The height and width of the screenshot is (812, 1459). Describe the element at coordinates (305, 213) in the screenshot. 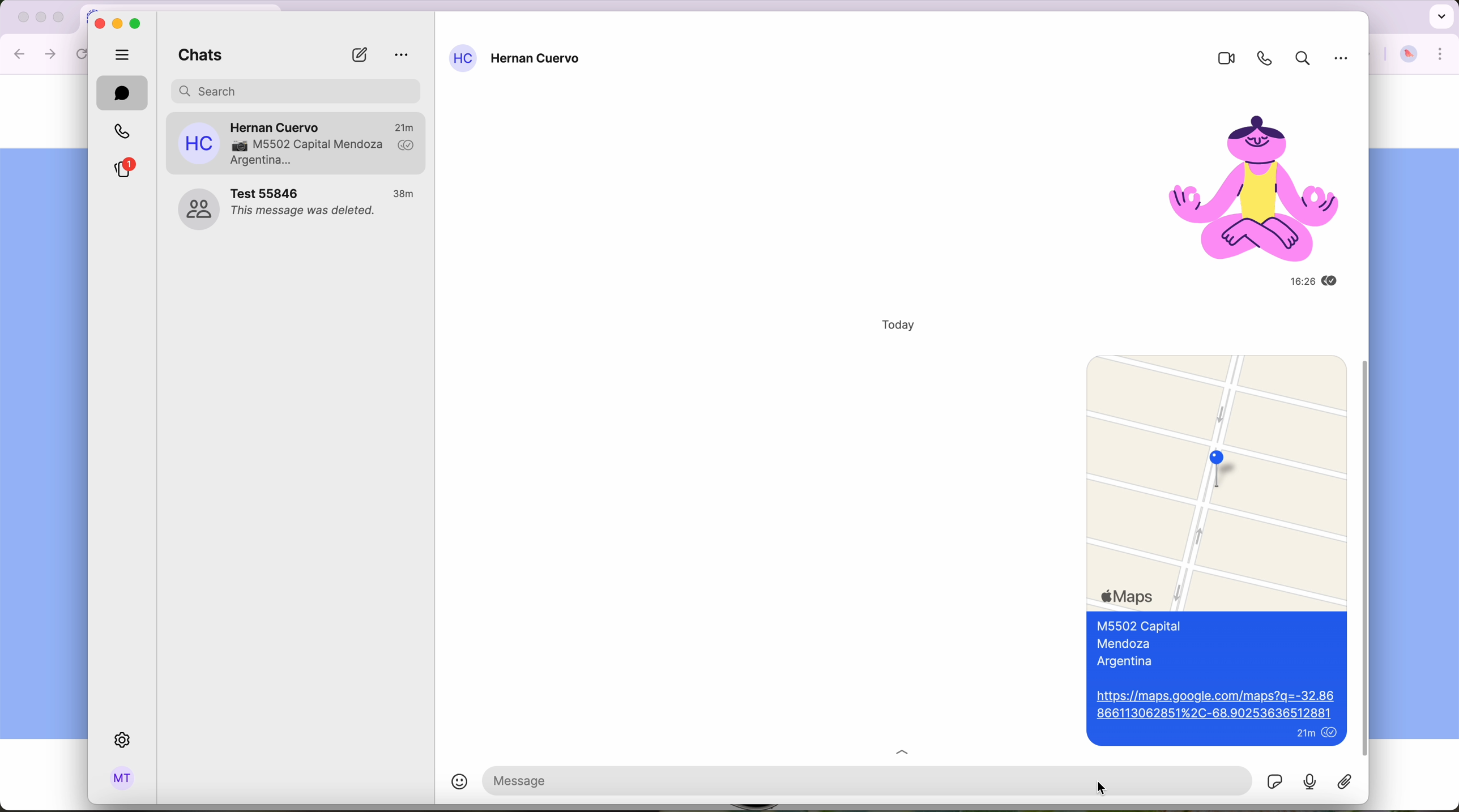

I see `This message was deleted.` at that location.